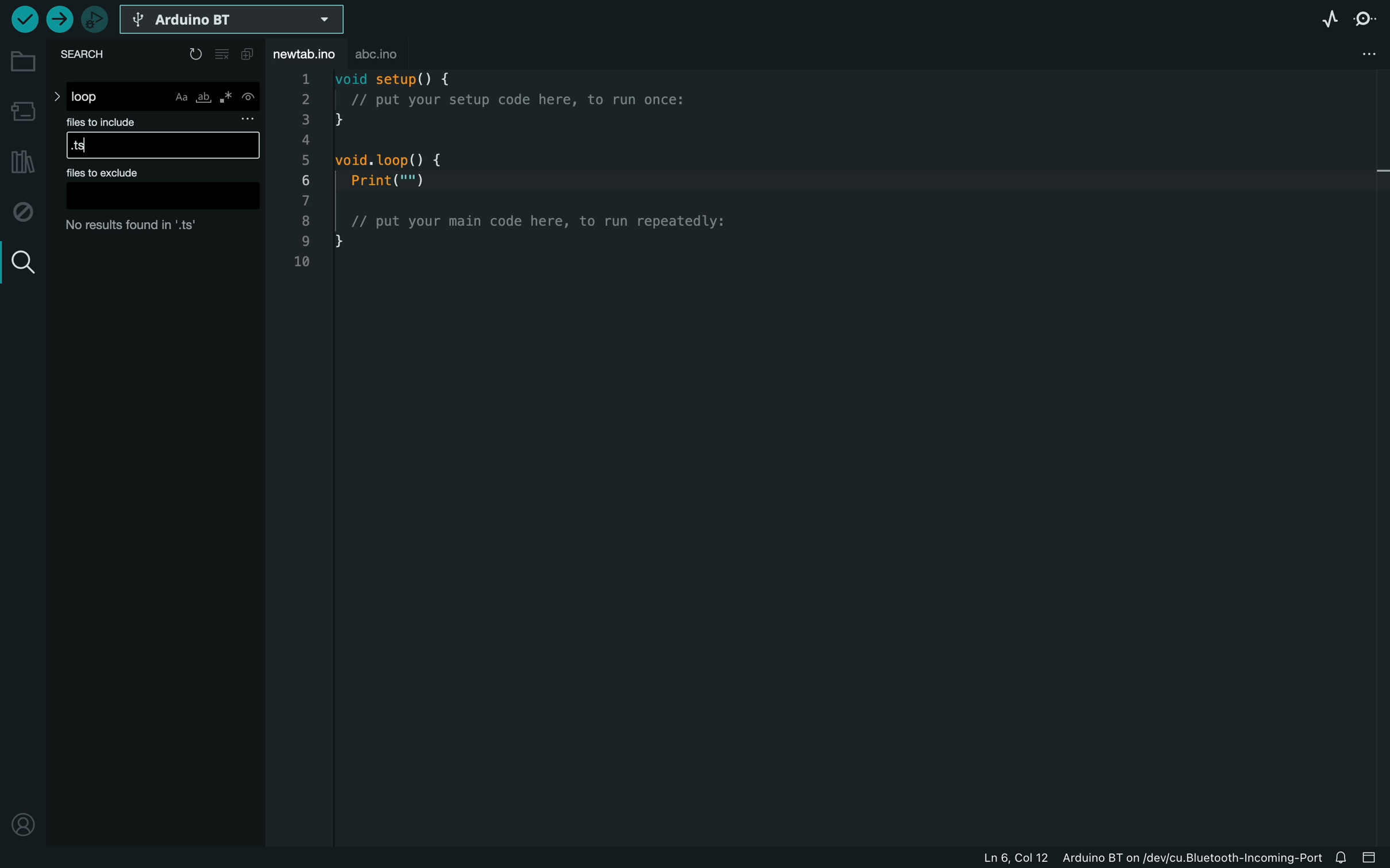 The image size is (1390, 868). Describe the element at coordinates (89, 55) in the screenshot. I see `search` at that location.